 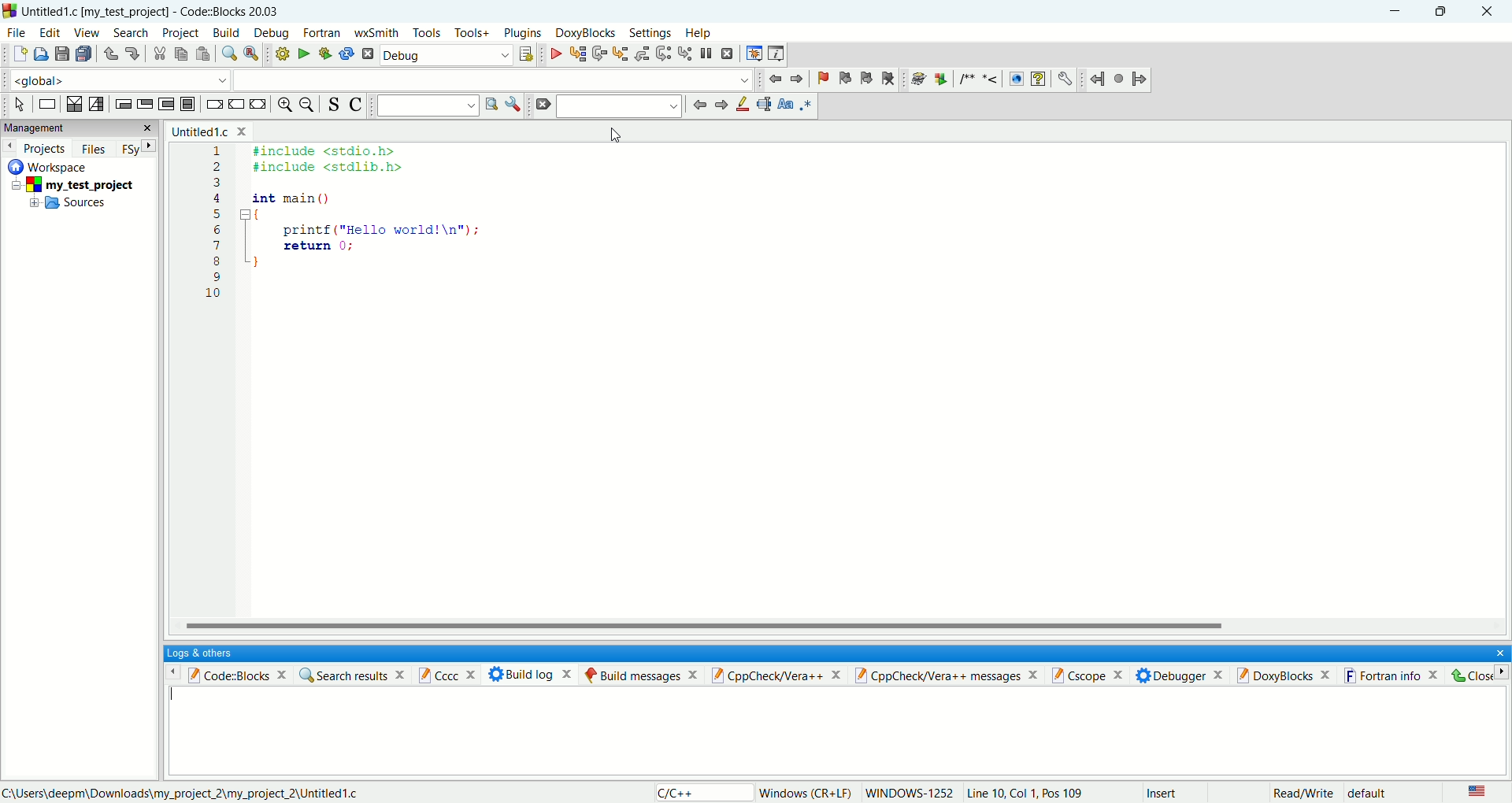 What do you see at coordinates (491, 105) in the screenshot?
I see `run search` at bounding box center [491, 105].